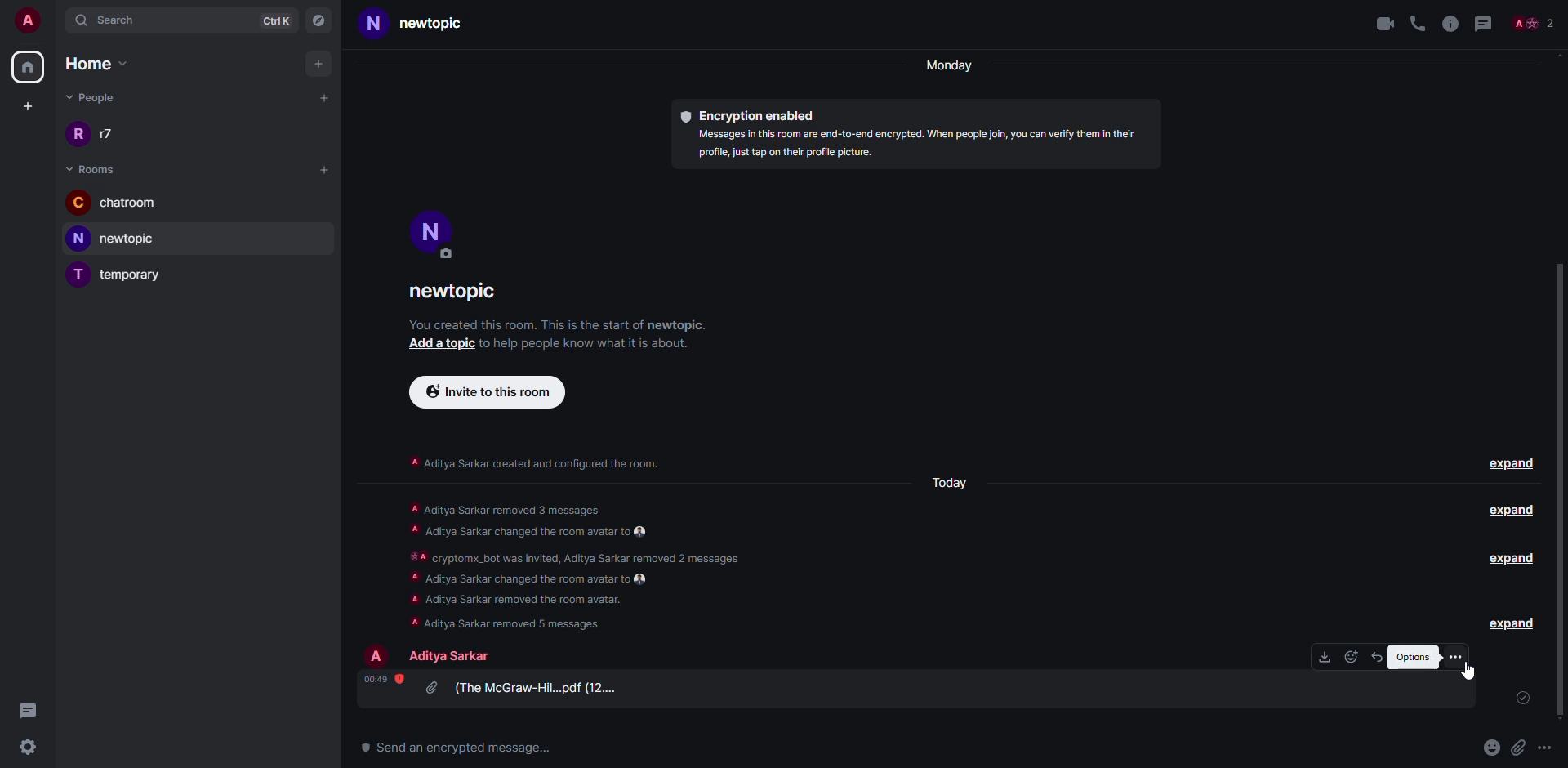 The height and width of the screenshot is (768, 1568). I want to click on search, so click(109, 19).